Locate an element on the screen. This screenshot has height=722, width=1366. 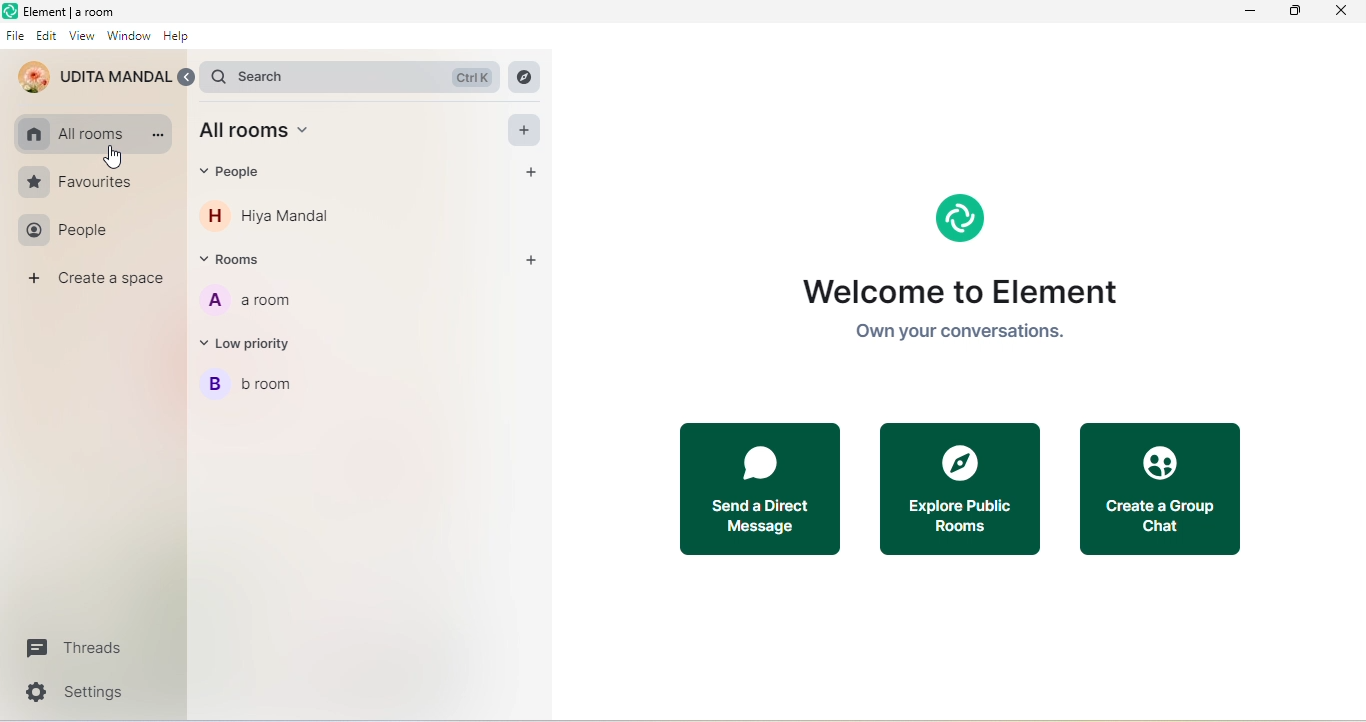
Send a Direct Message is located at coordinates (756, 489).